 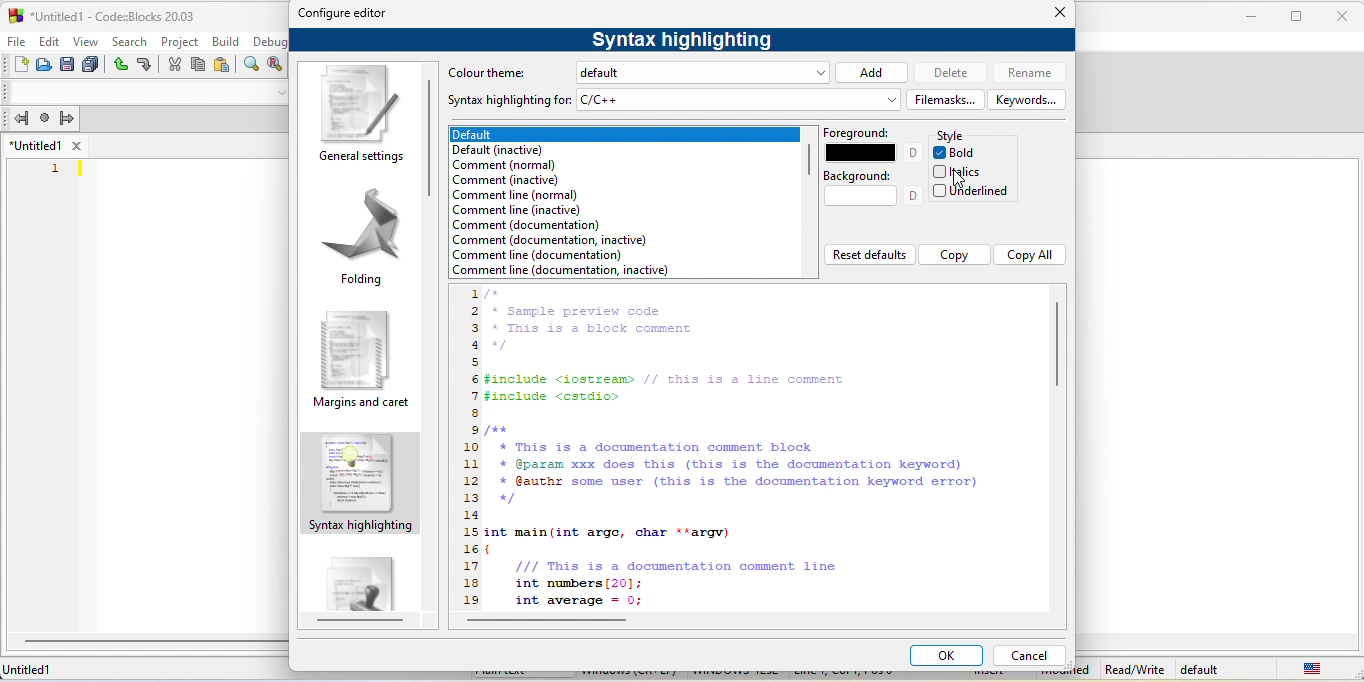 I want to click on Untitled 1, so click(x=32, y=671).